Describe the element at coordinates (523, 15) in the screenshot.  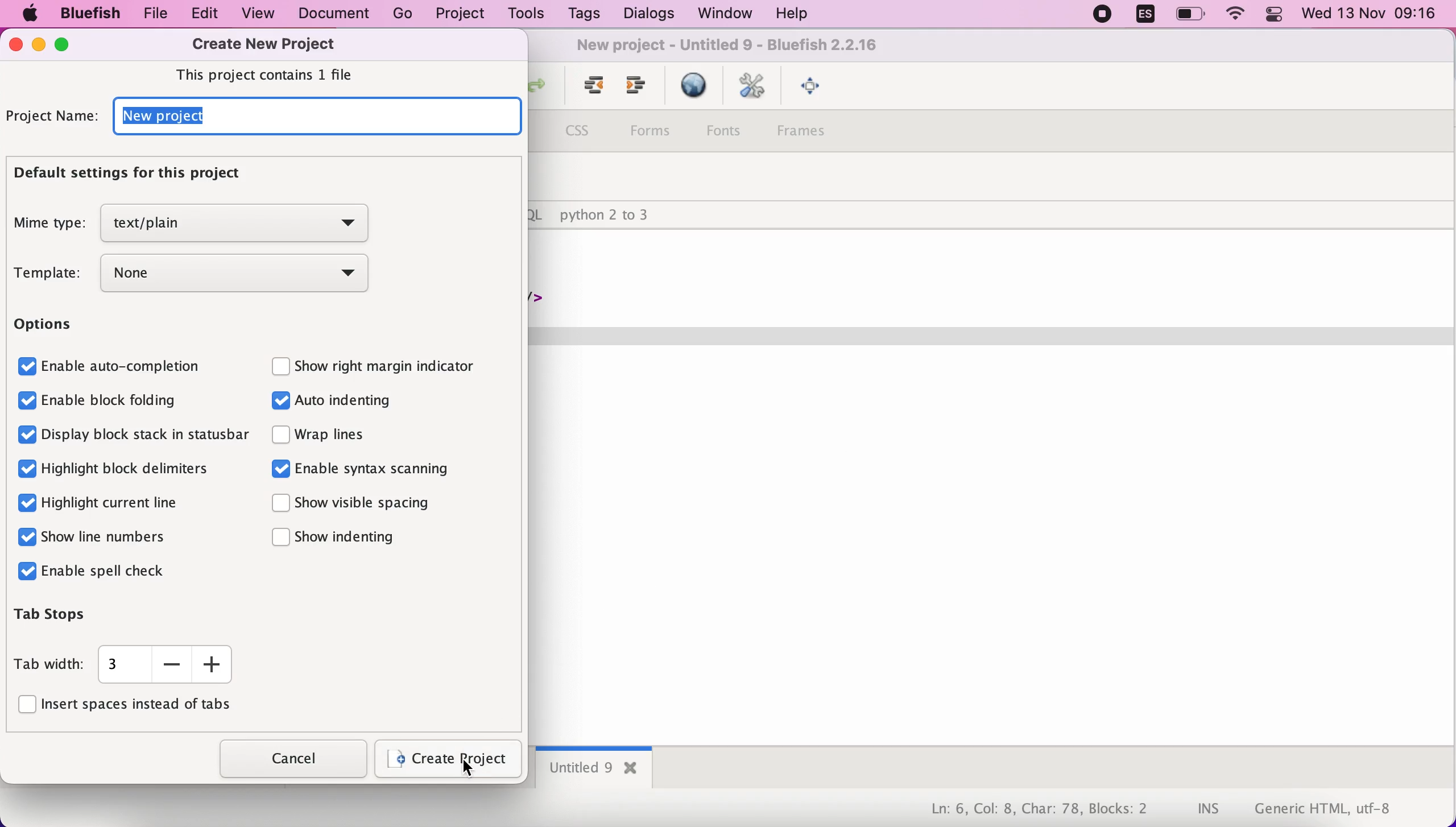
I see `tools` at that location.